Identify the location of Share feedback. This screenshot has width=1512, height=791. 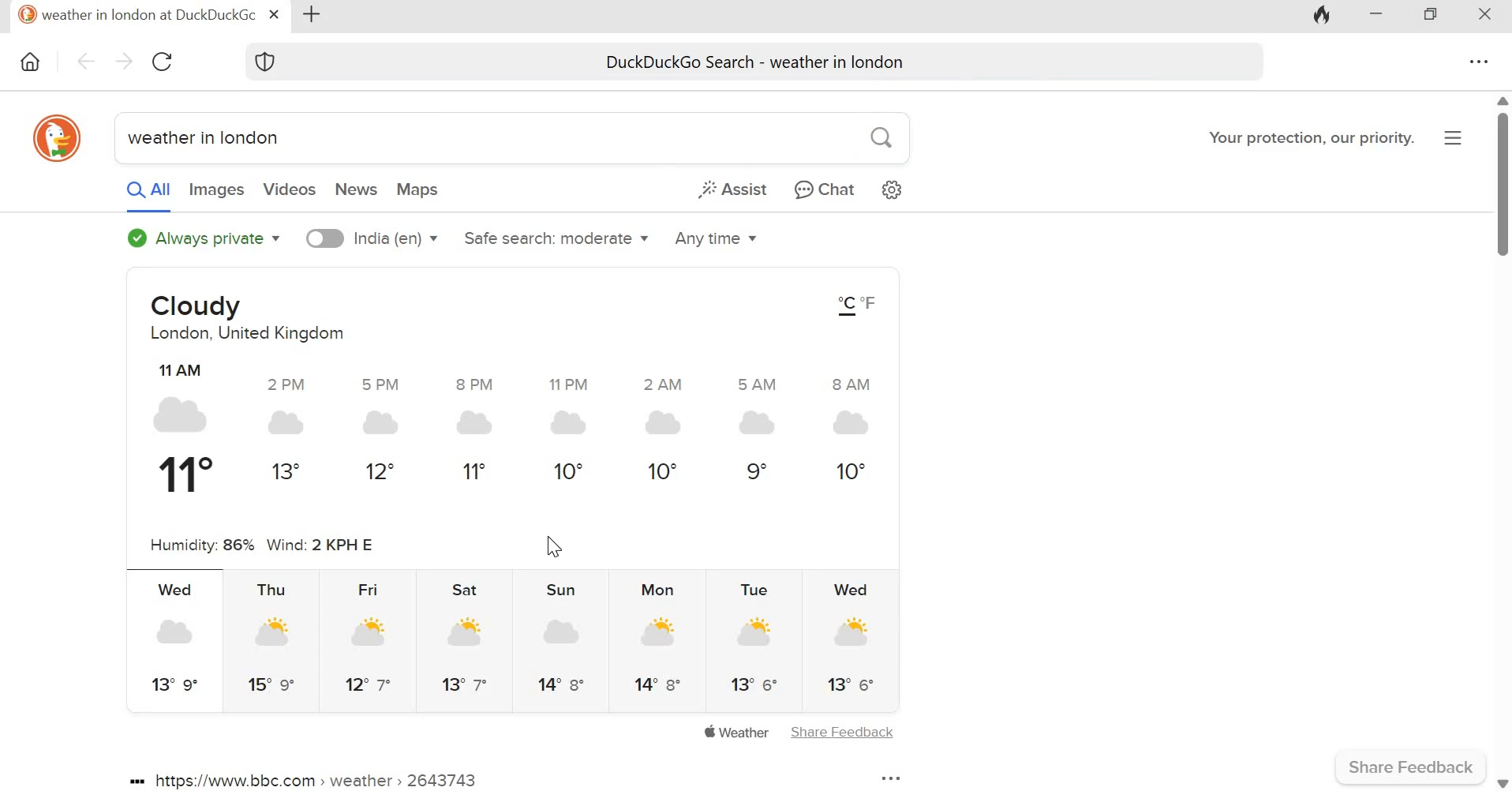
(1412, 768).